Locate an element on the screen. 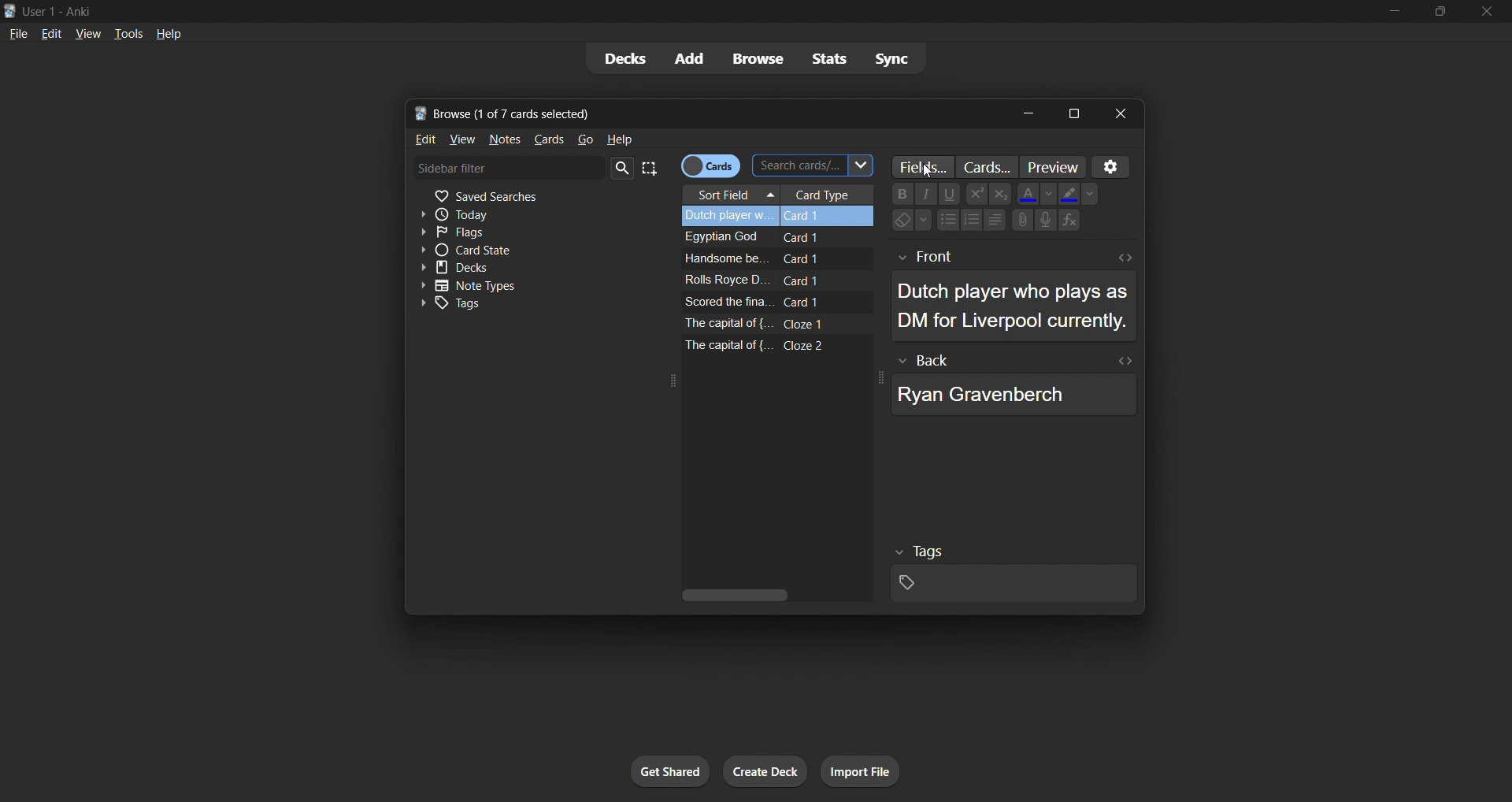 This screenshot has width=1512, height=802. note types toggle is located at coordinates (503, 286).